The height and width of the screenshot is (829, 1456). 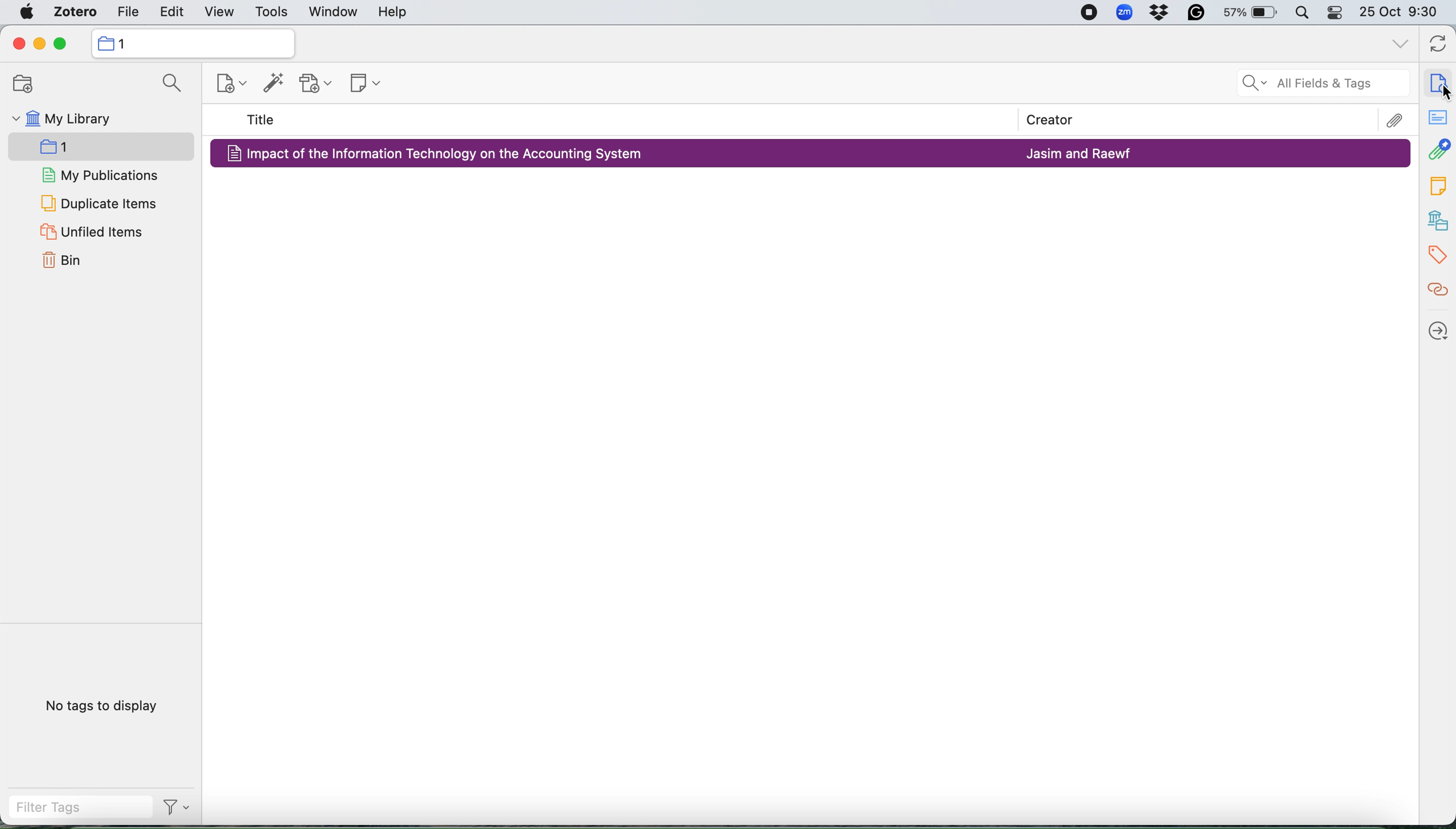 What do you see at coordinates (87, 121) in the screenshot?
I see `my library` at bounding box center [87, 121].